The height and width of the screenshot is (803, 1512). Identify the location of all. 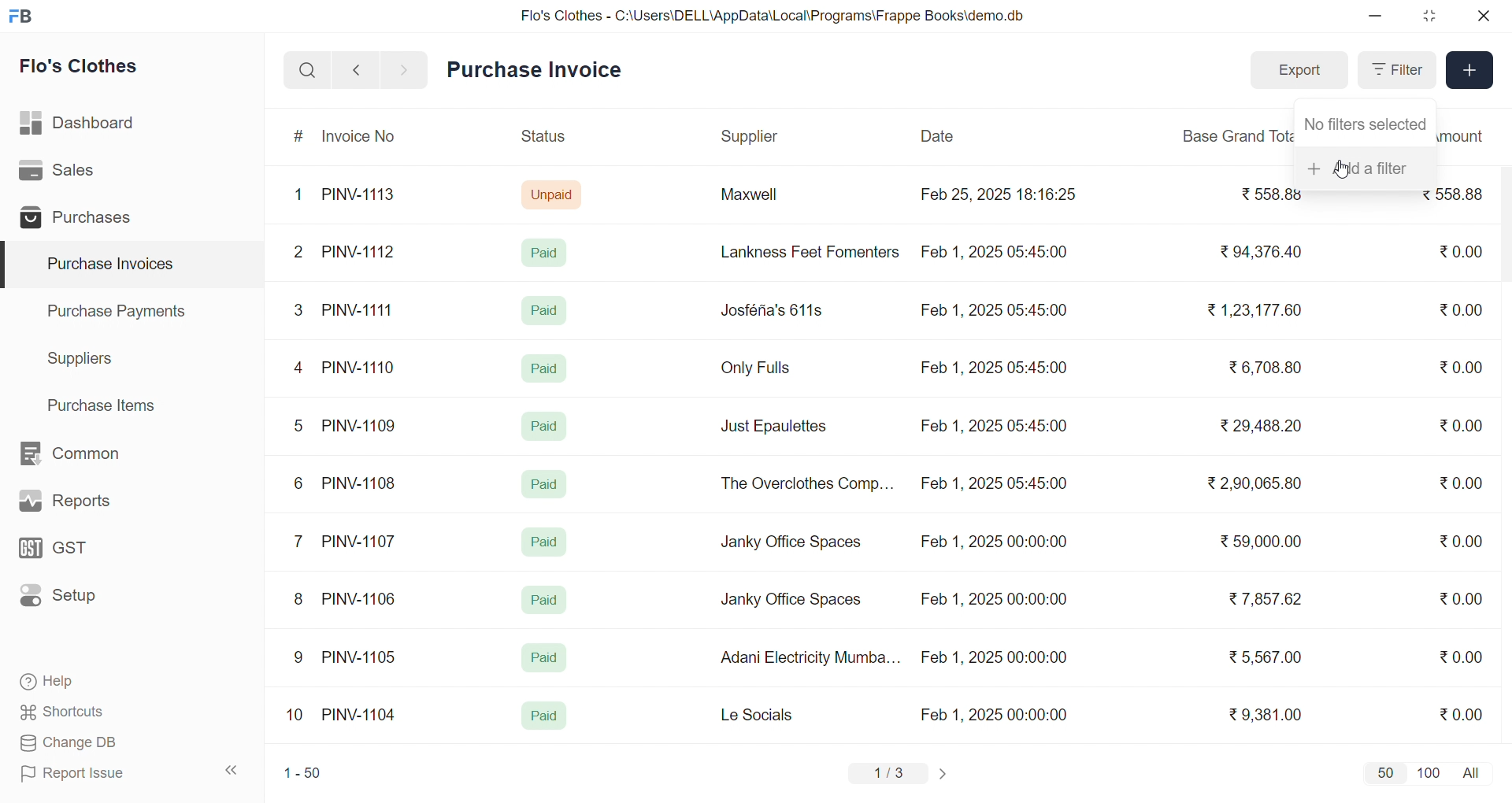
(1474, 772).